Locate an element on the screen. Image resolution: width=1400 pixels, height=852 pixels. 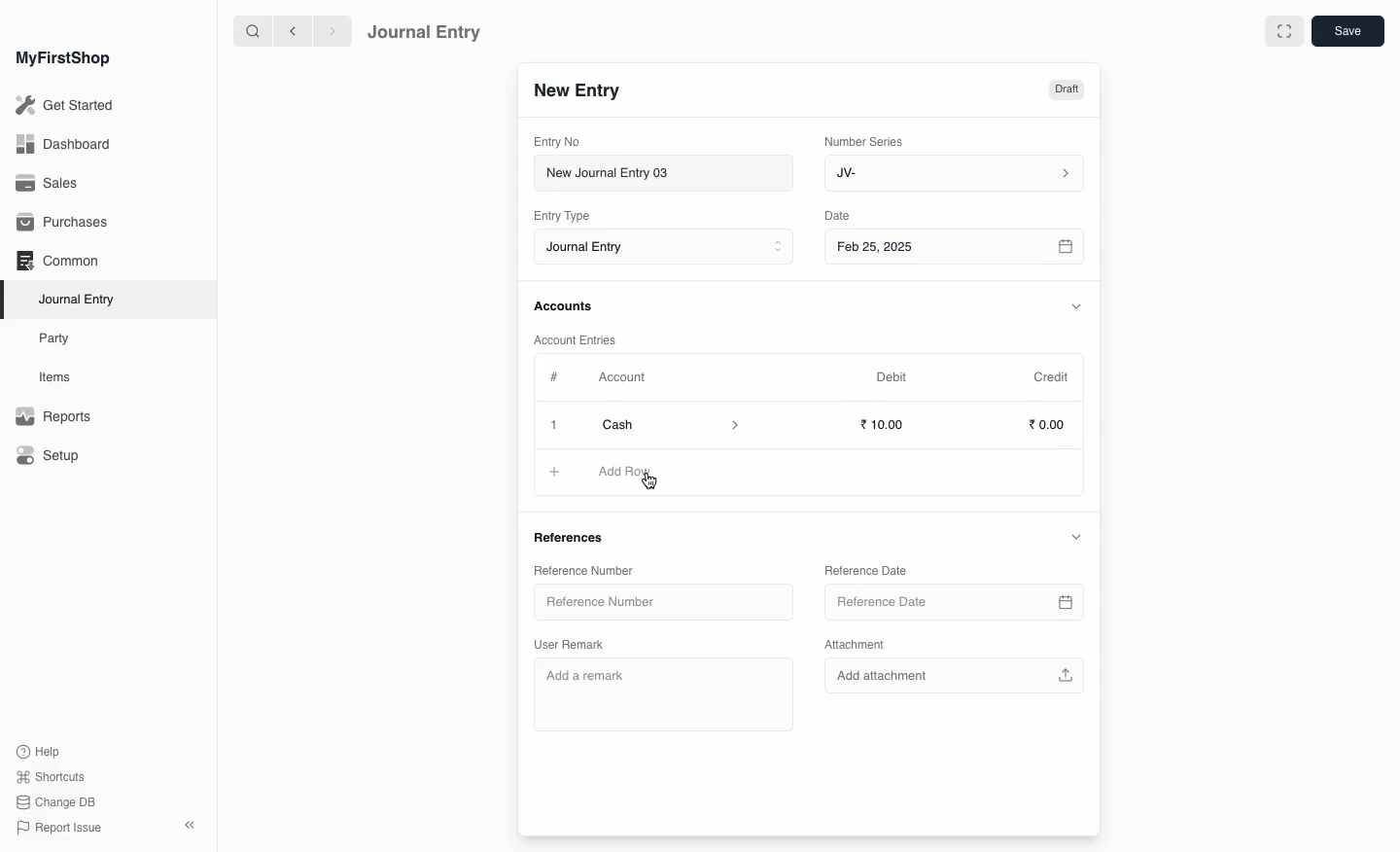
Purchases is located at coordinates (67, 223).